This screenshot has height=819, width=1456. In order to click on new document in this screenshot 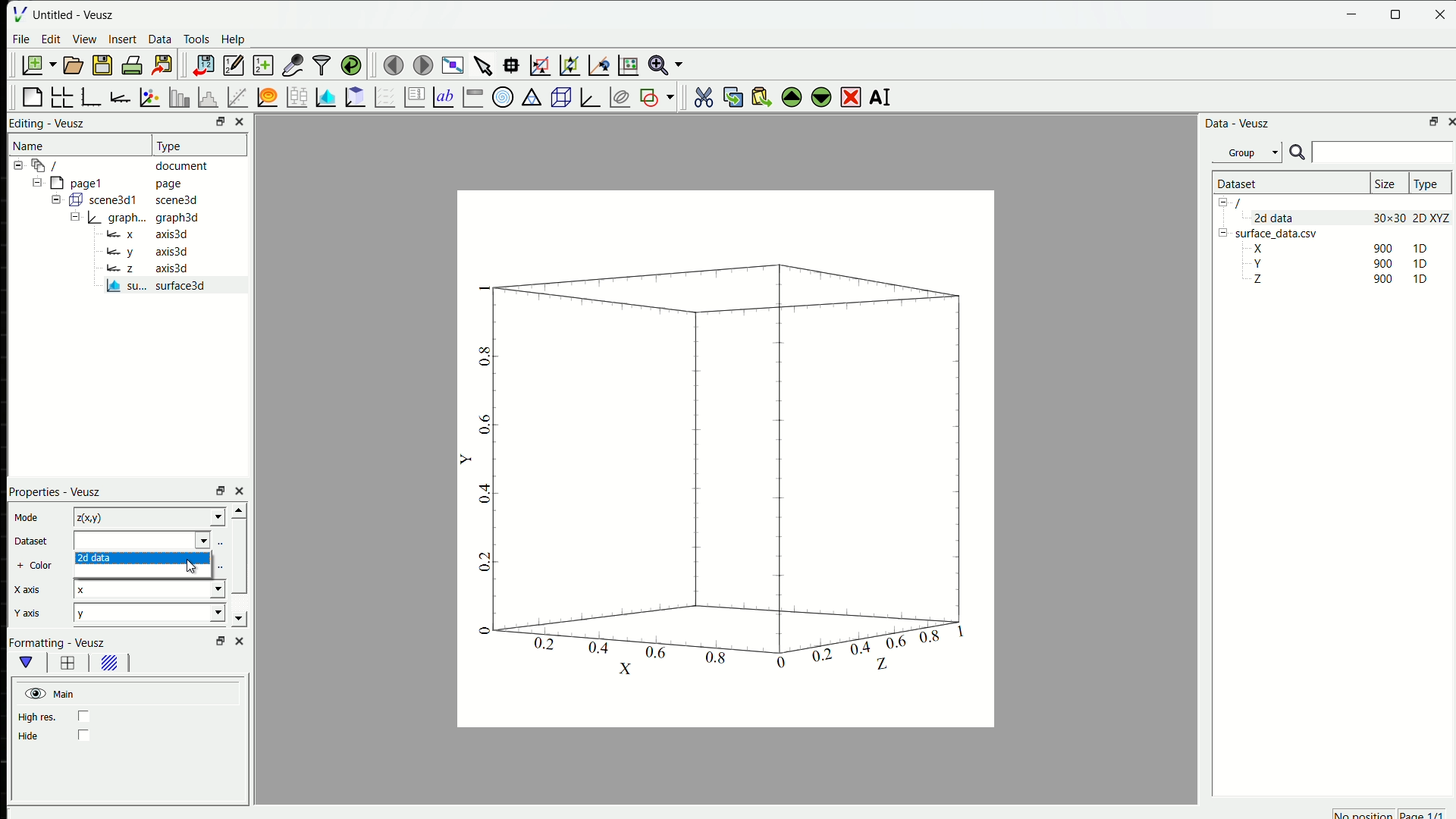, I will do `click(39, 64)`.